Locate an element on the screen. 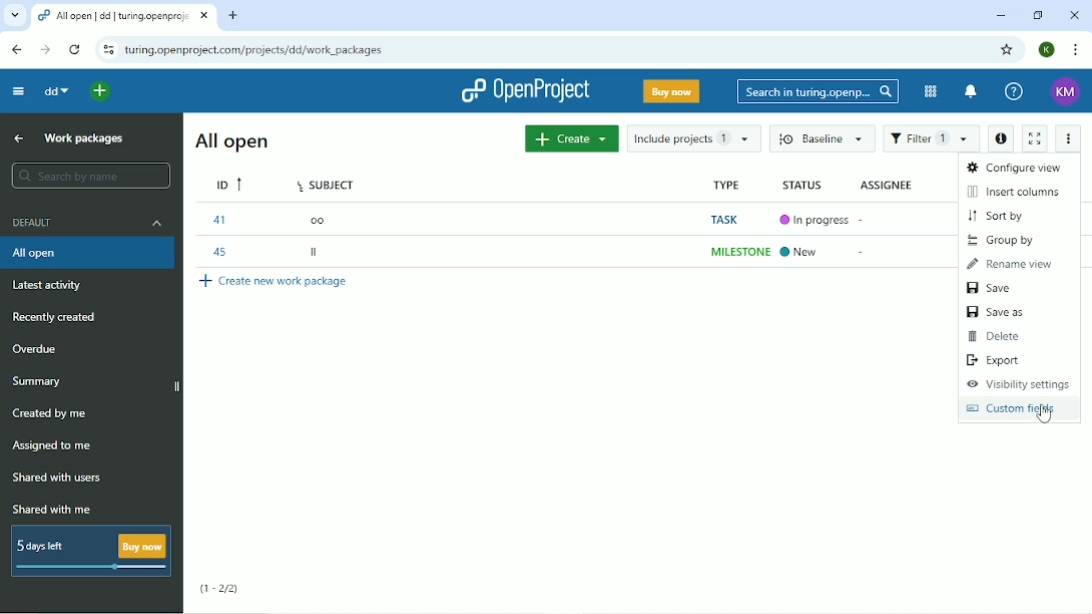  All open is located at coordinates (233, 141).